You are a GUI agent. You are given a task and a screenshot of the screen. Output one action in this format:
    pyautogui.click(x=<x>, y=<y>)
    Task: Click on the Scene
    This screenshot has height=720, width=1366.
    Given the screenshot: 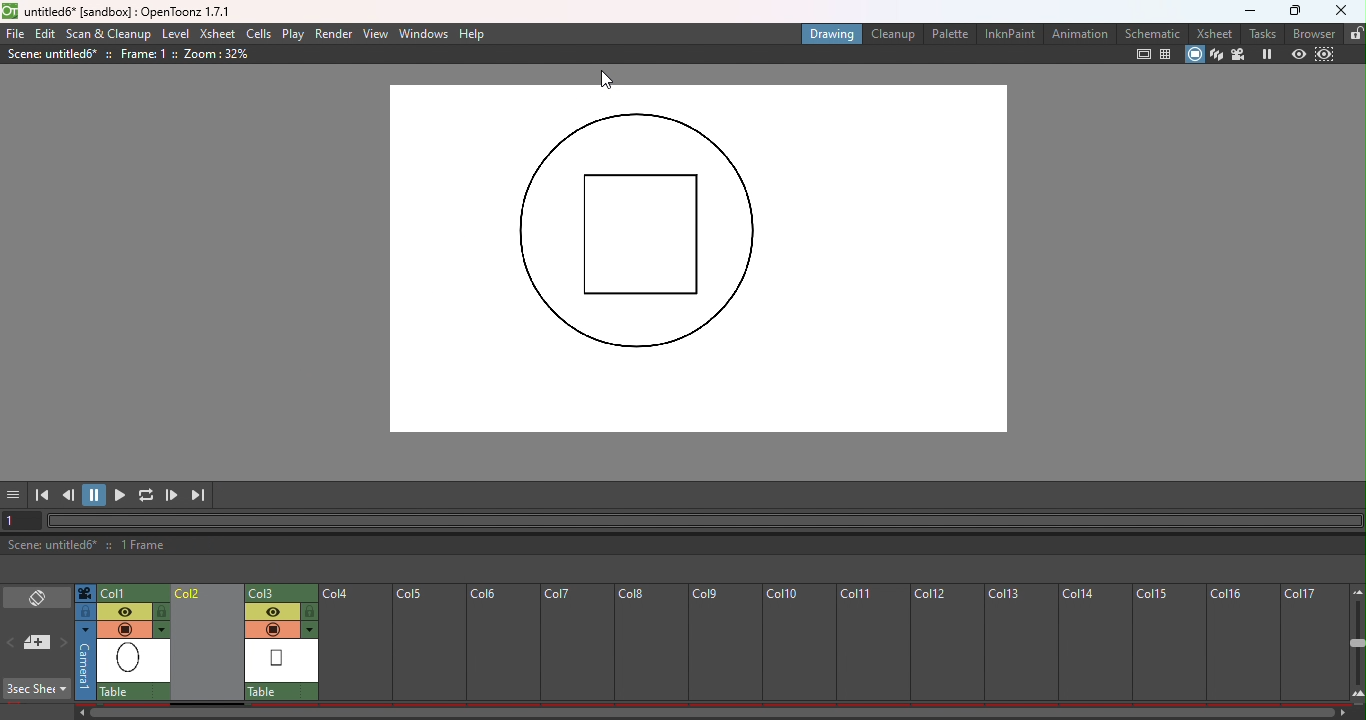 What is the action you would take?
    pyautogui.click(x=282, y=660)
    